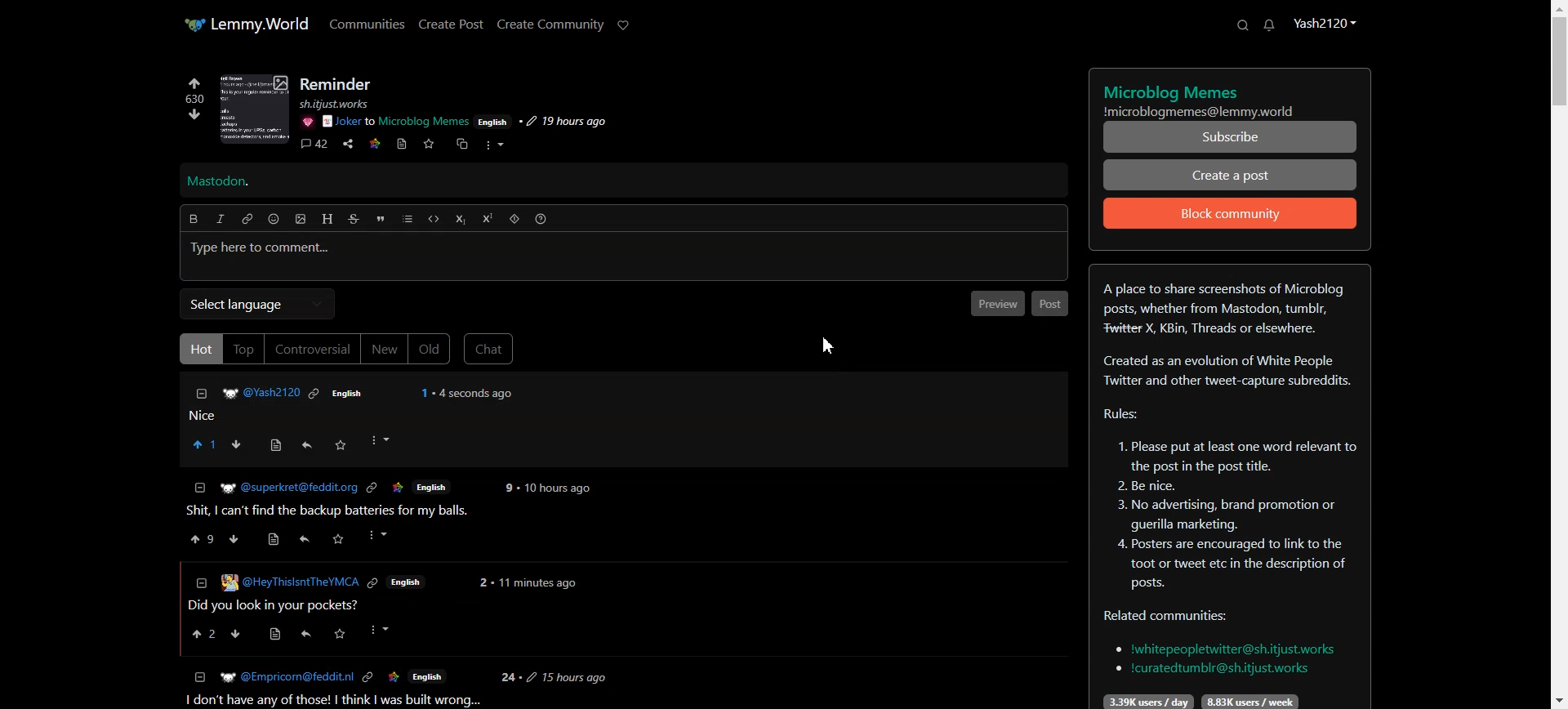 Image resolution: width=1568 pixels, height=709 pixels. Describe the element at coordinates (1242, 25) in the screenshot. I see `Search` at that location.